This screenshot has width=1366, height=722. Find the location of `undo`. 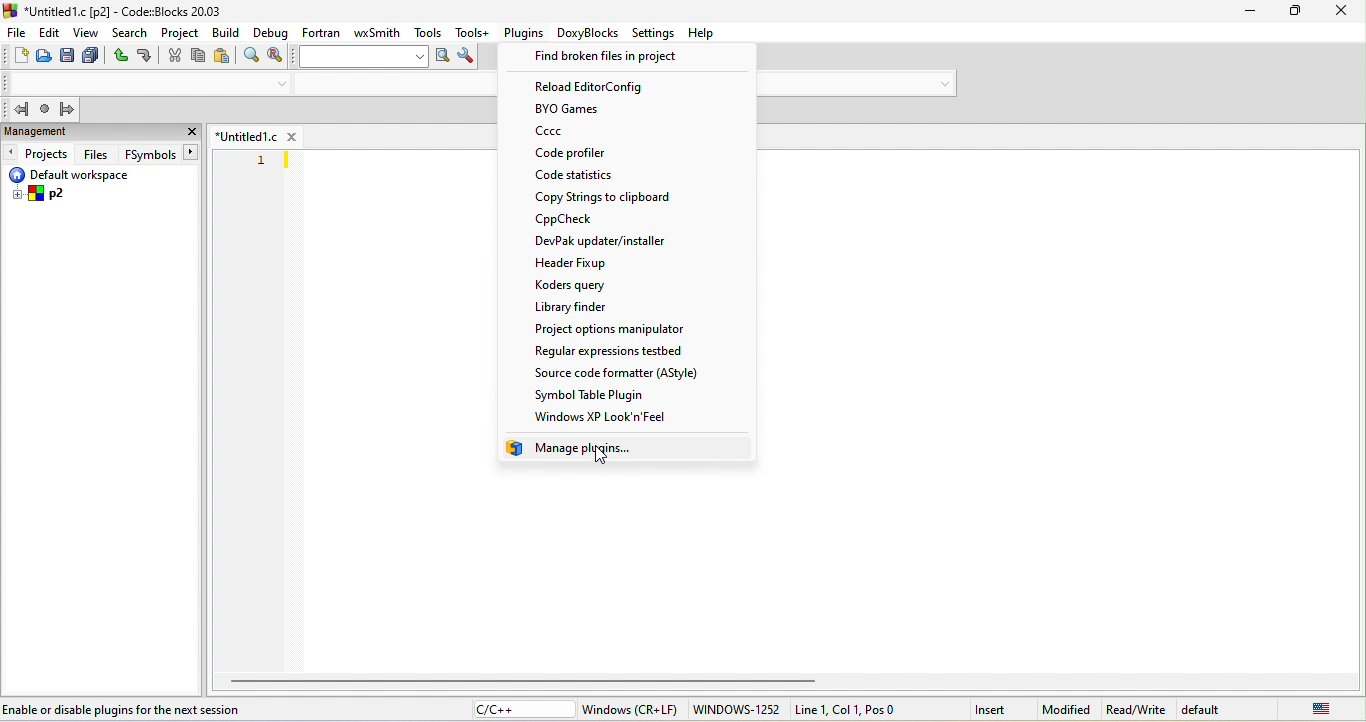

undo is located at coordinates (121, 55).